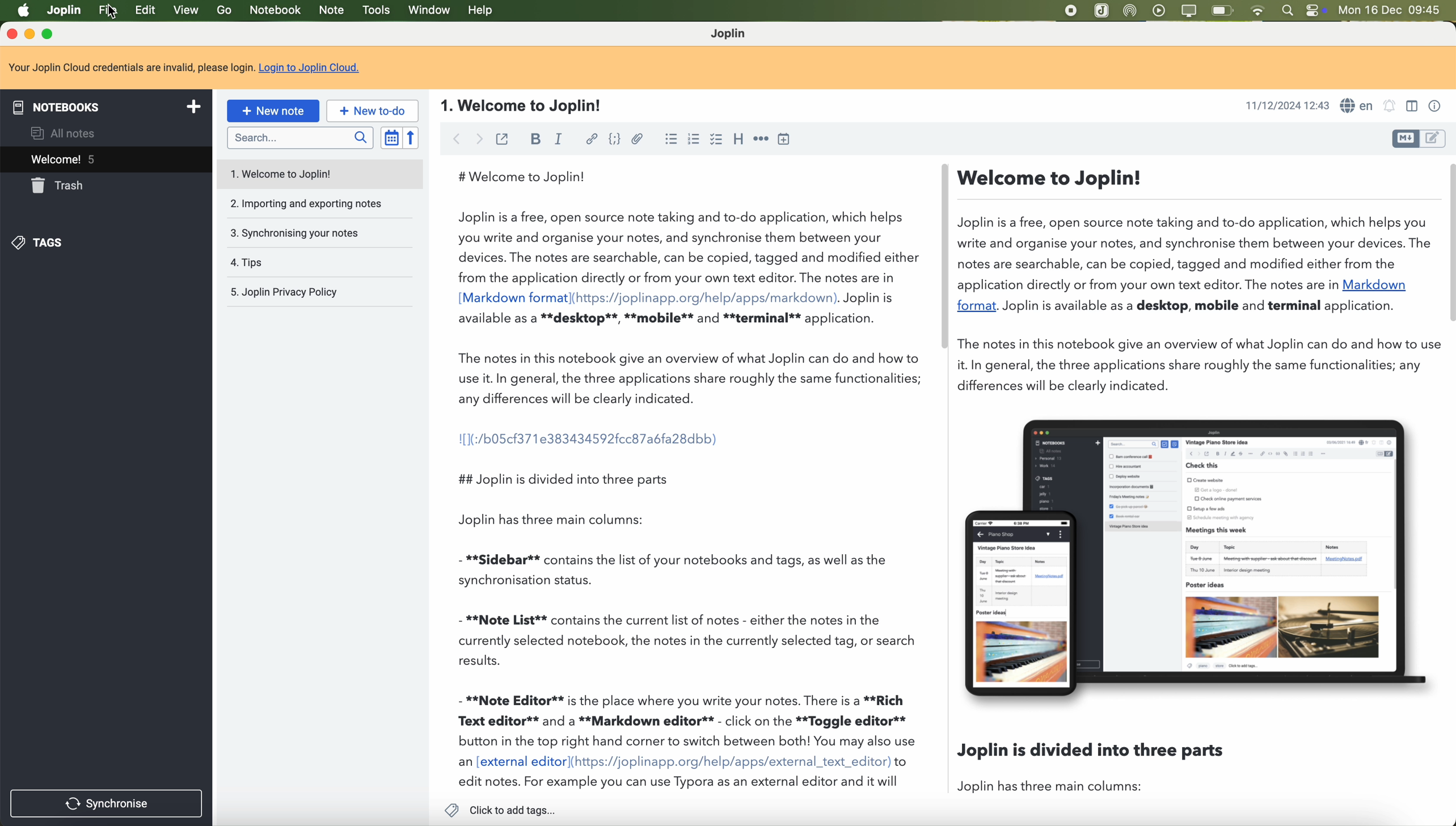 This screenshot has width=1456, height=826. Describe the element at coordinates (731, 34) in the screenshot. I see `Joplin` at that location.